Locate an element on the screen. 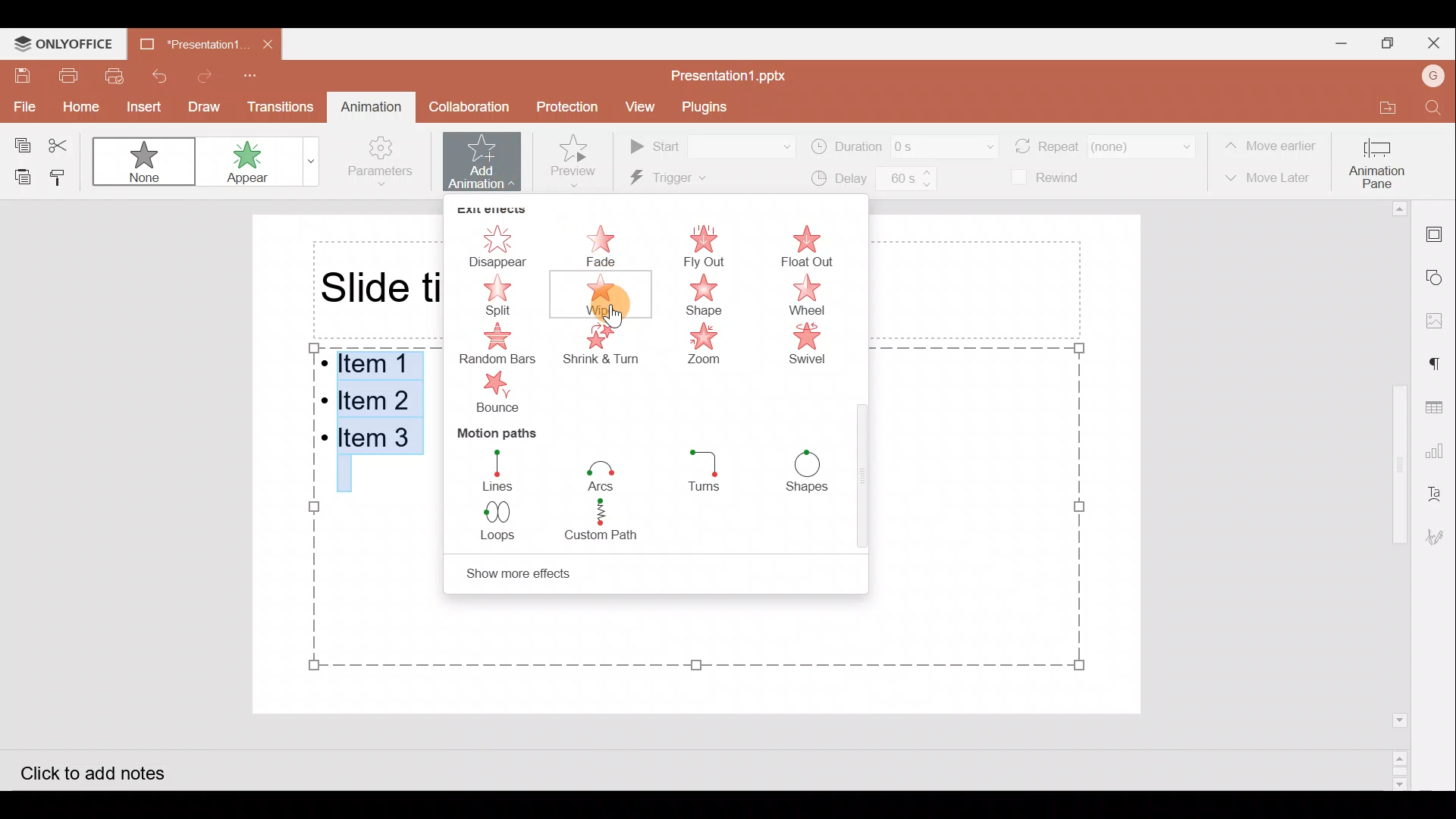 The width and height of the screenshot is (1456, 819). Animation pane is located at coordinates (1379, 162).